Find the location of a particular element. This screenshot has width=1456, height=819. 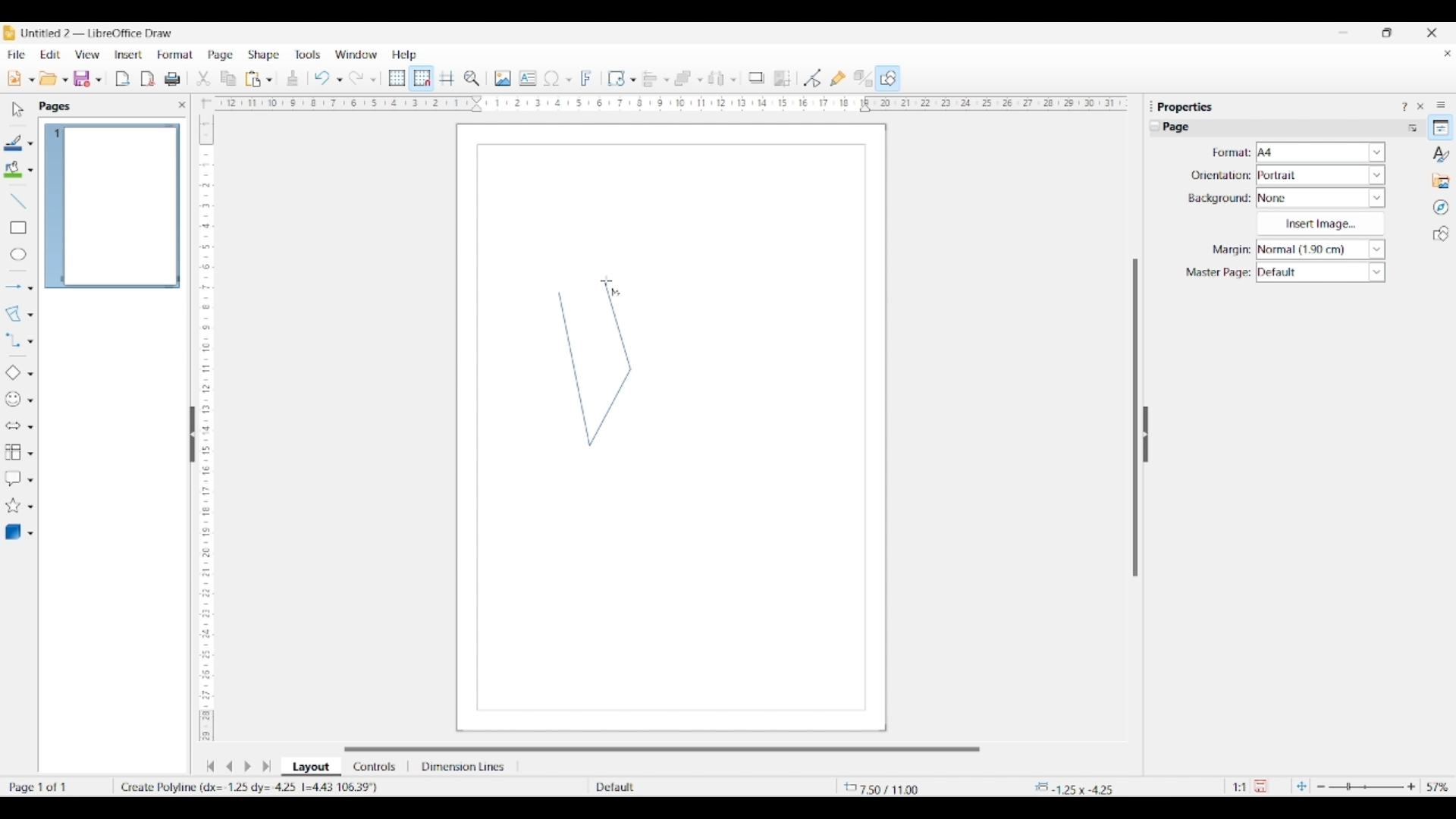

Selected callout shape is located at coordinates (13, 479).